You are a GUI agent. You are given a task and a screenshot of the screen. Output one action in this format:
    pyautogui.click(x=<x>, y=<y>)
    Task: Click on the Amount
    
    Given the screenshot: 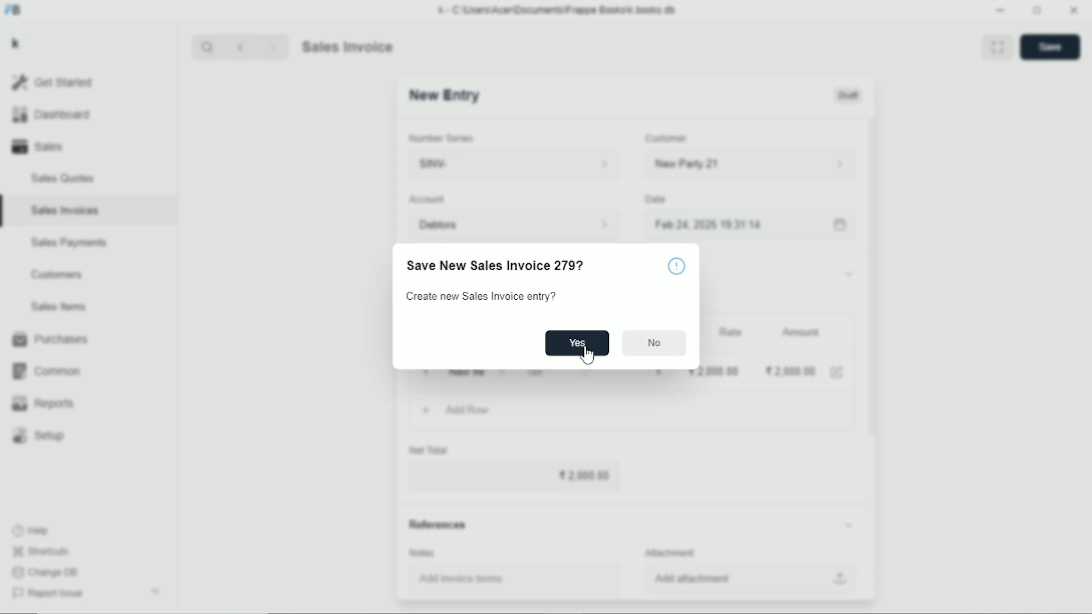 What is the action you would take?
    pyautogui.click(x=802, y=332)
    